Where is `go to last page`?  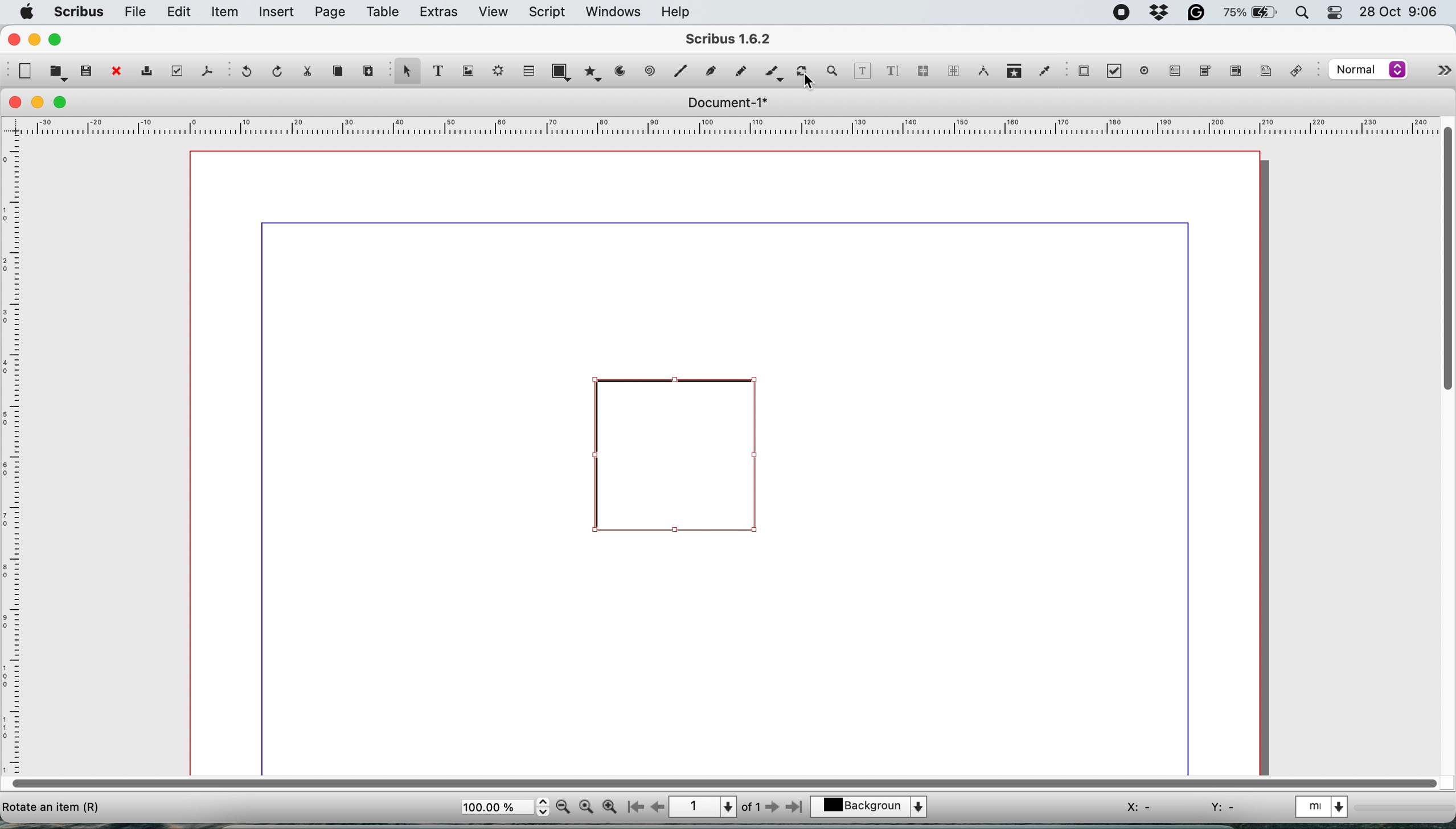
go to last page is located at coordinates (797, 809).